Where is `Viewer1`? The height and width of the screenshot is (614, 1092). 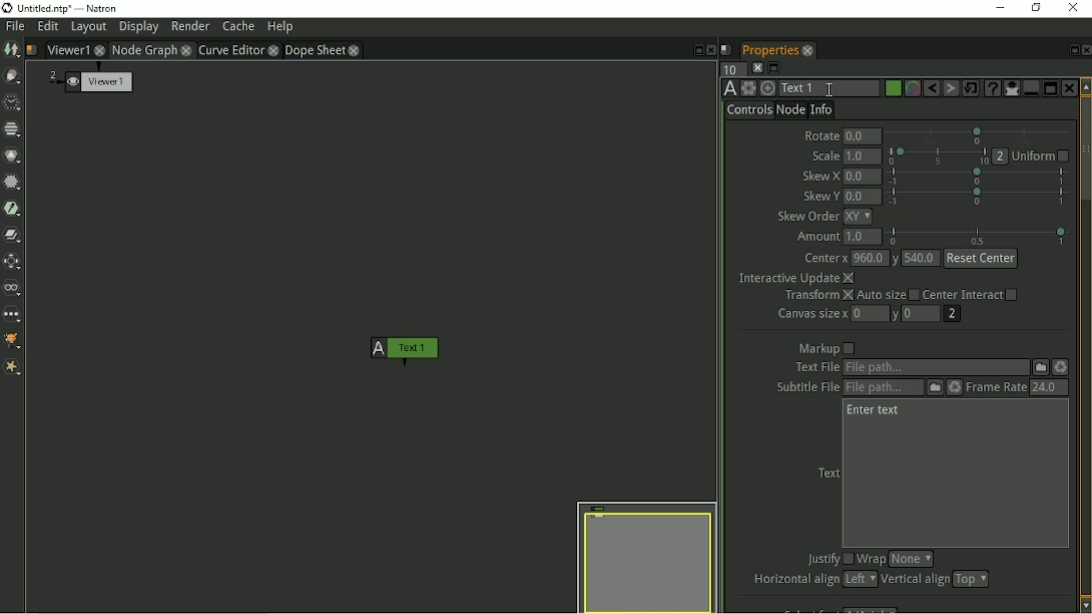
Viewer1 is located at coordinates (69, 48).